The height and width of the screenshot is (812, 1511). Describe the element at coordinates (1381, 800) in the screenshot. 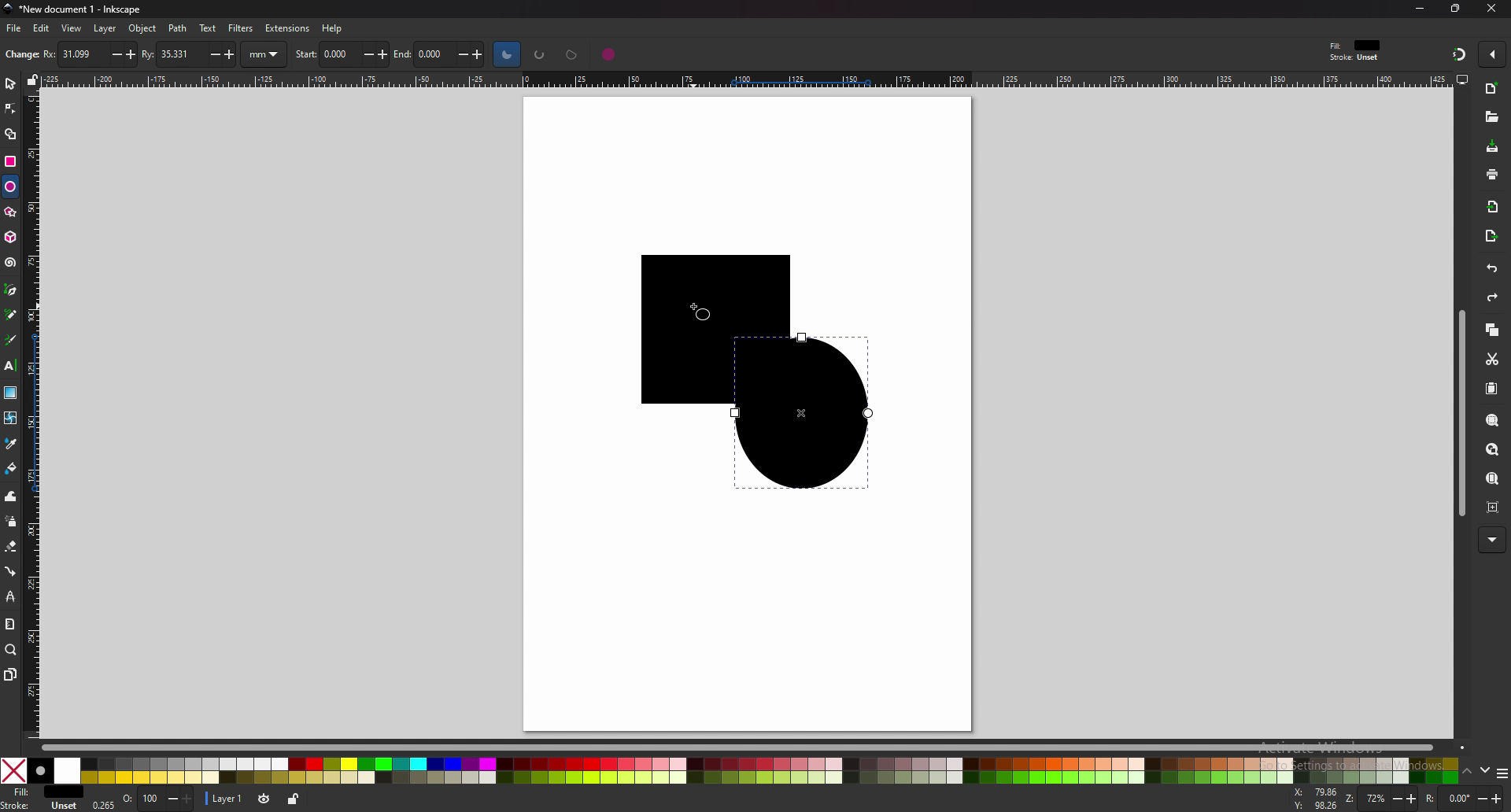

I see `zoom` at that location.